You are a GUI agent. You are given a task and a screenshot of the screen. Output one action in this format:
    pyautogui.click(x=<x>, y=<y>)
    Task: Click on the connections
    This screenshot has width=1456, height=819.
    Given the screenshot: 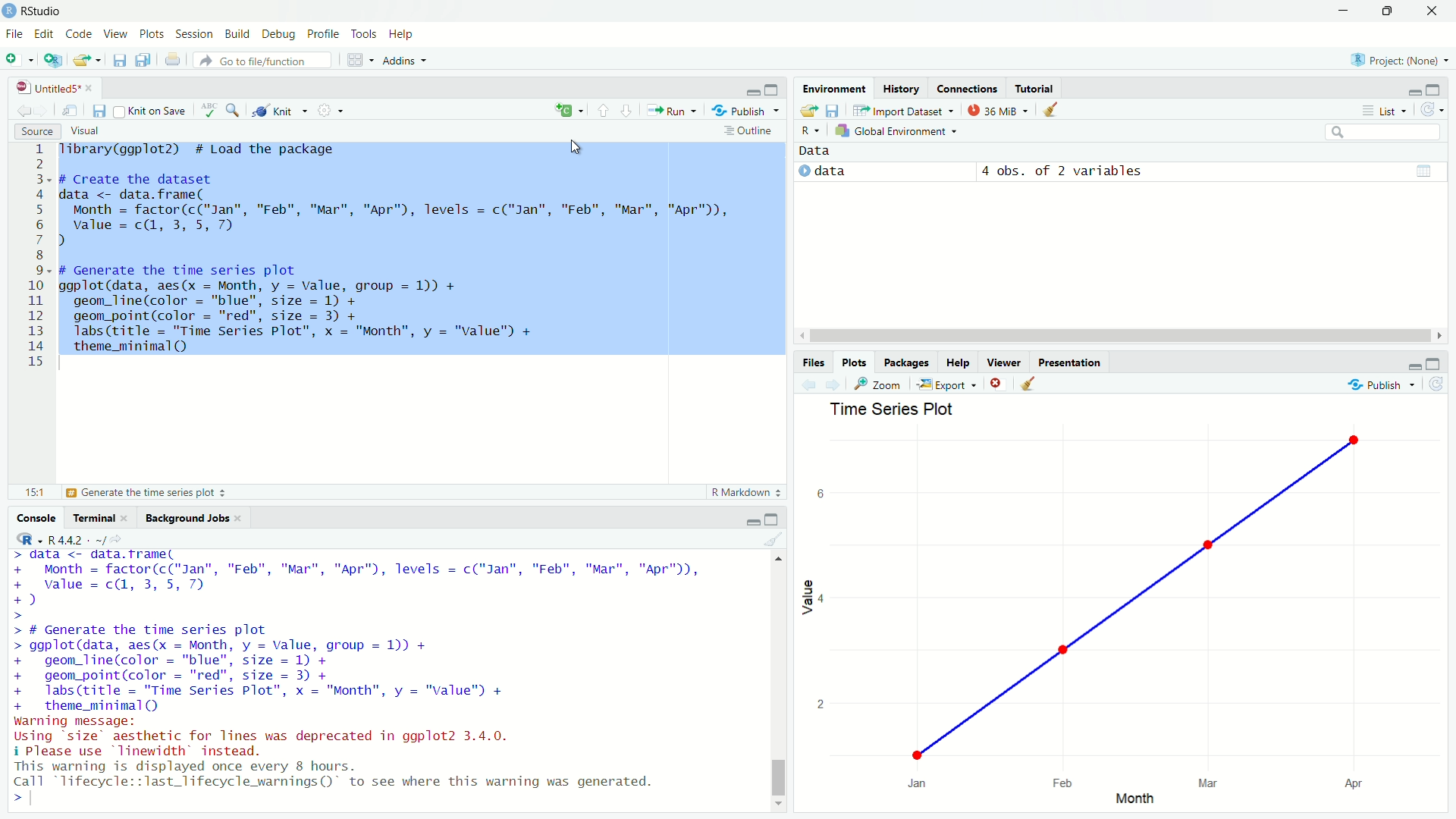 What is the action you would take?
    pyautogui.click(x=968, y=86)
    